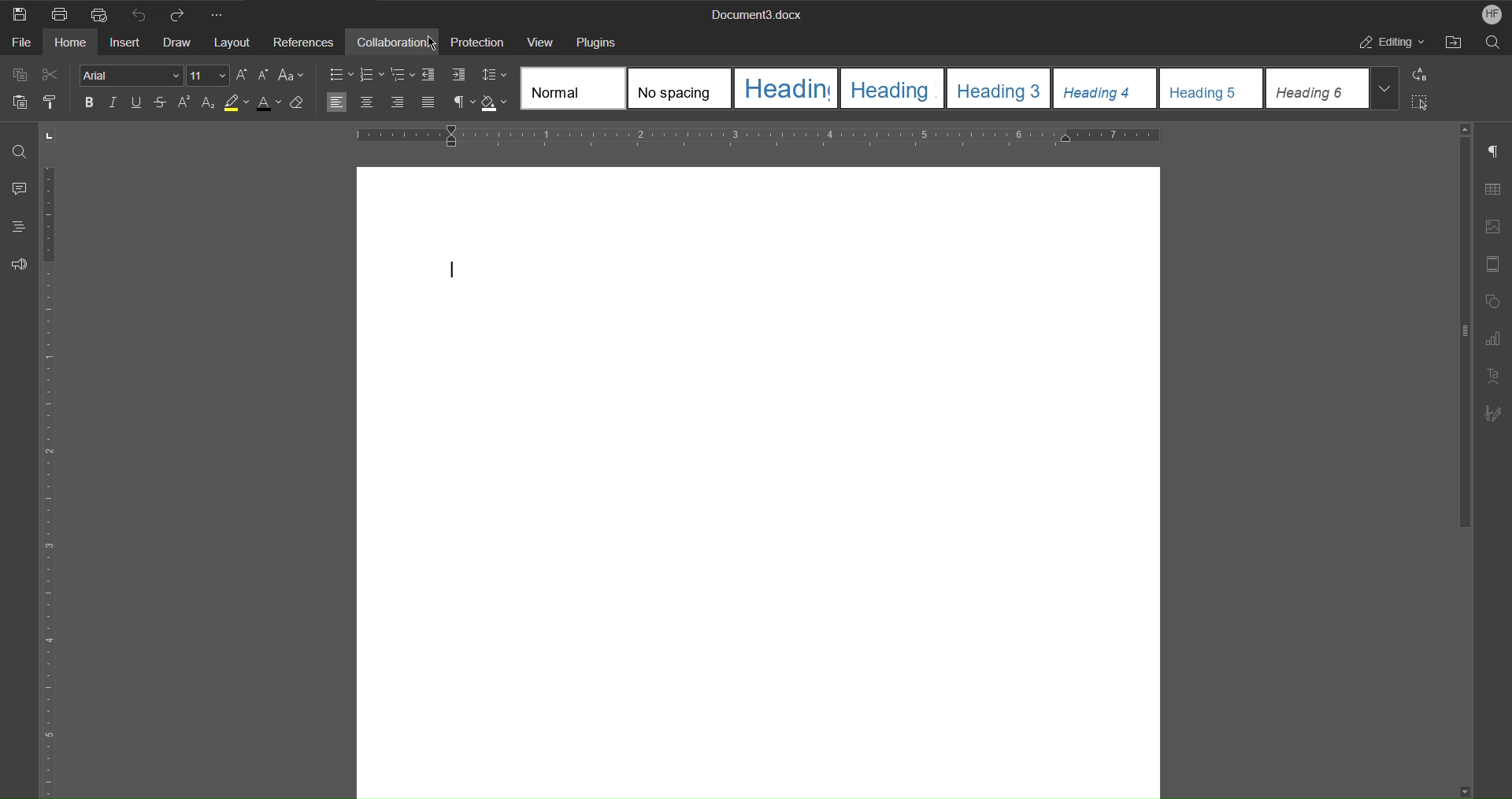  Describe the element at coordinates (999, 89) in the screenshot. I see `Heading 3` at that location.